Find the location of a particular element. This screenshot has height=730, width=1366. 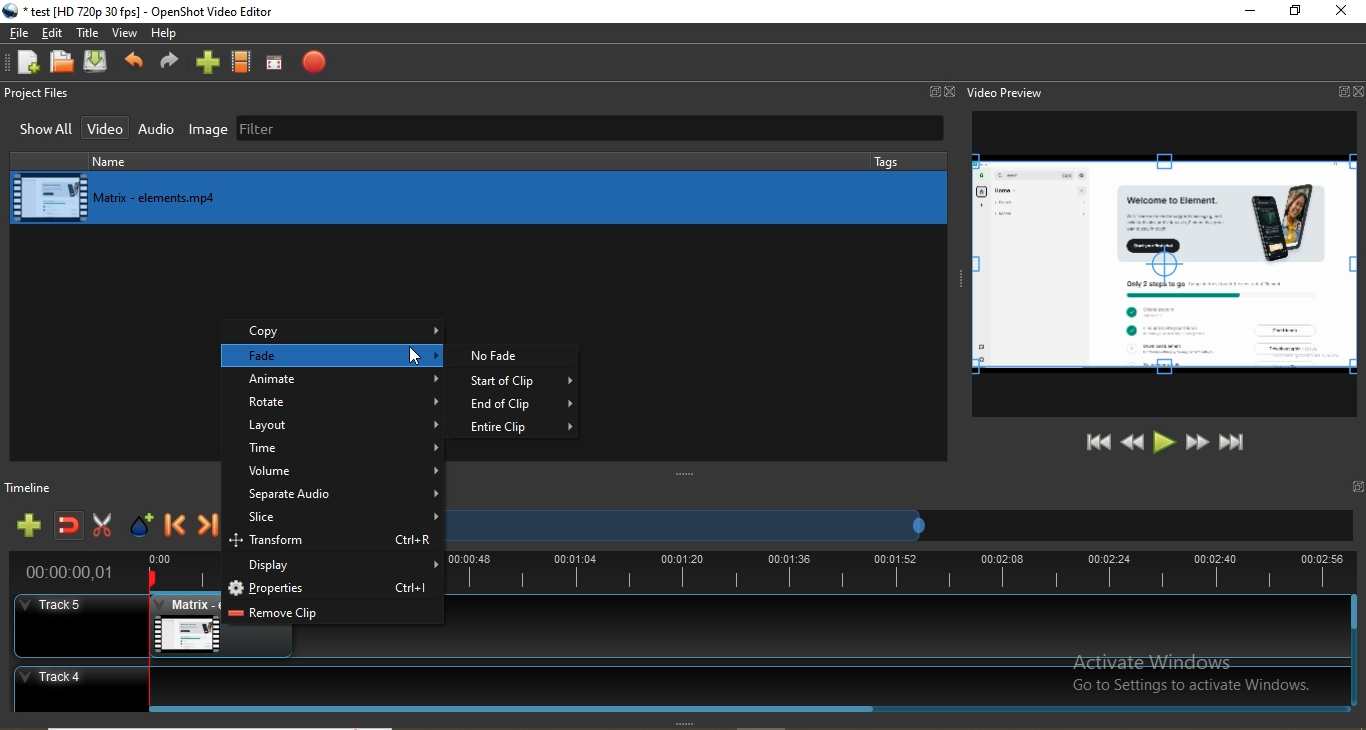

Close is located at coordinates (952, 91).